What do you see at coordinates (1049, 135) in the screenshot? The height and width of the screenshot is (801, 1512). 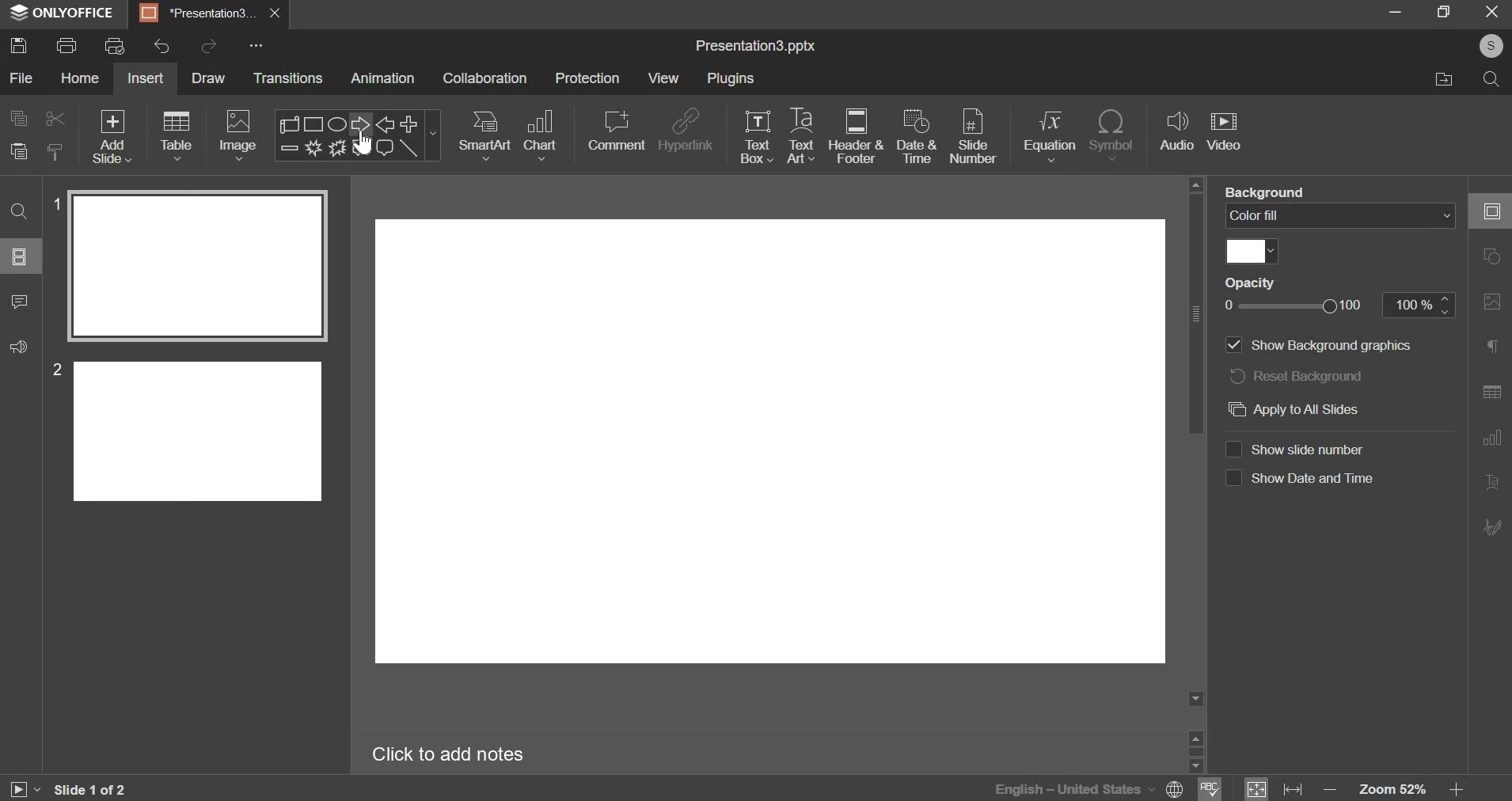 I see `equation` at bounding box center [1049, 135].